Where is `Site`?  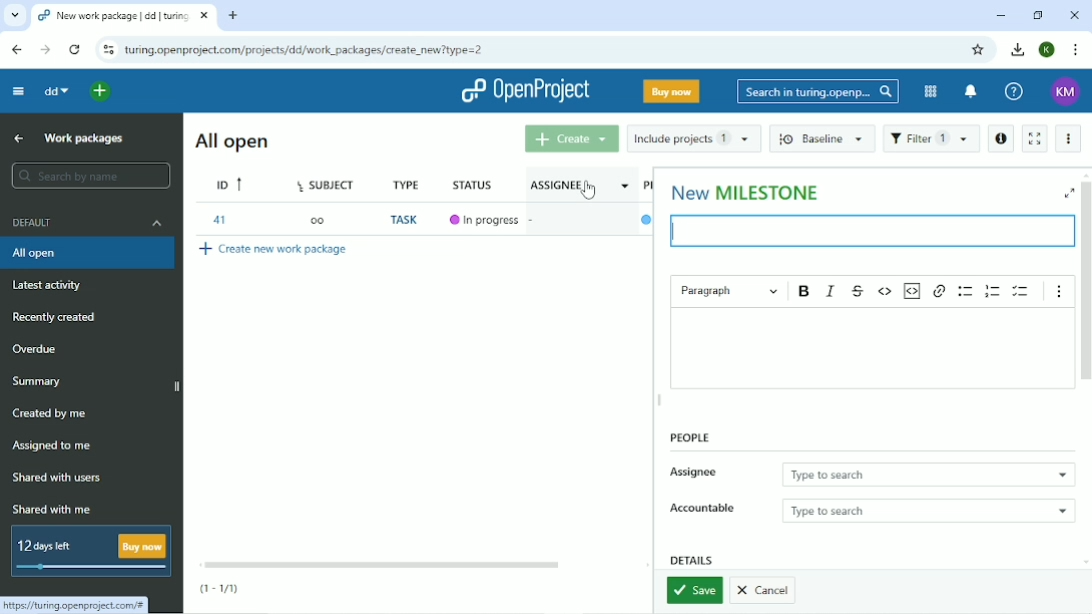
Site is located at coordinates (308, 50).